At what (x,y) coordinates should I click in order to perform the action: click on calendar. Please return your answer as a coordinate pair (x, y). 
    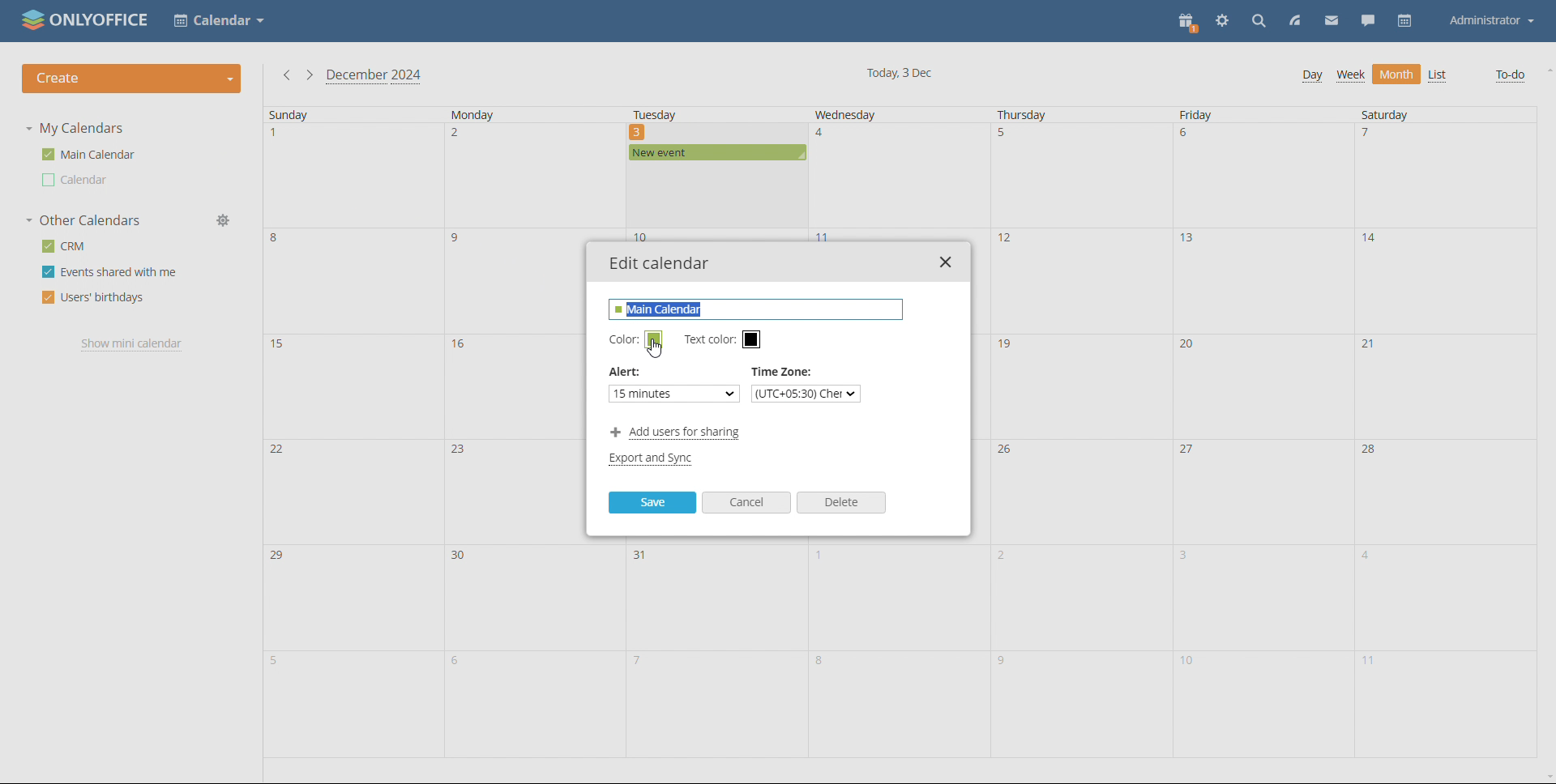
    Looking at the image, I should click on (1404, 21).